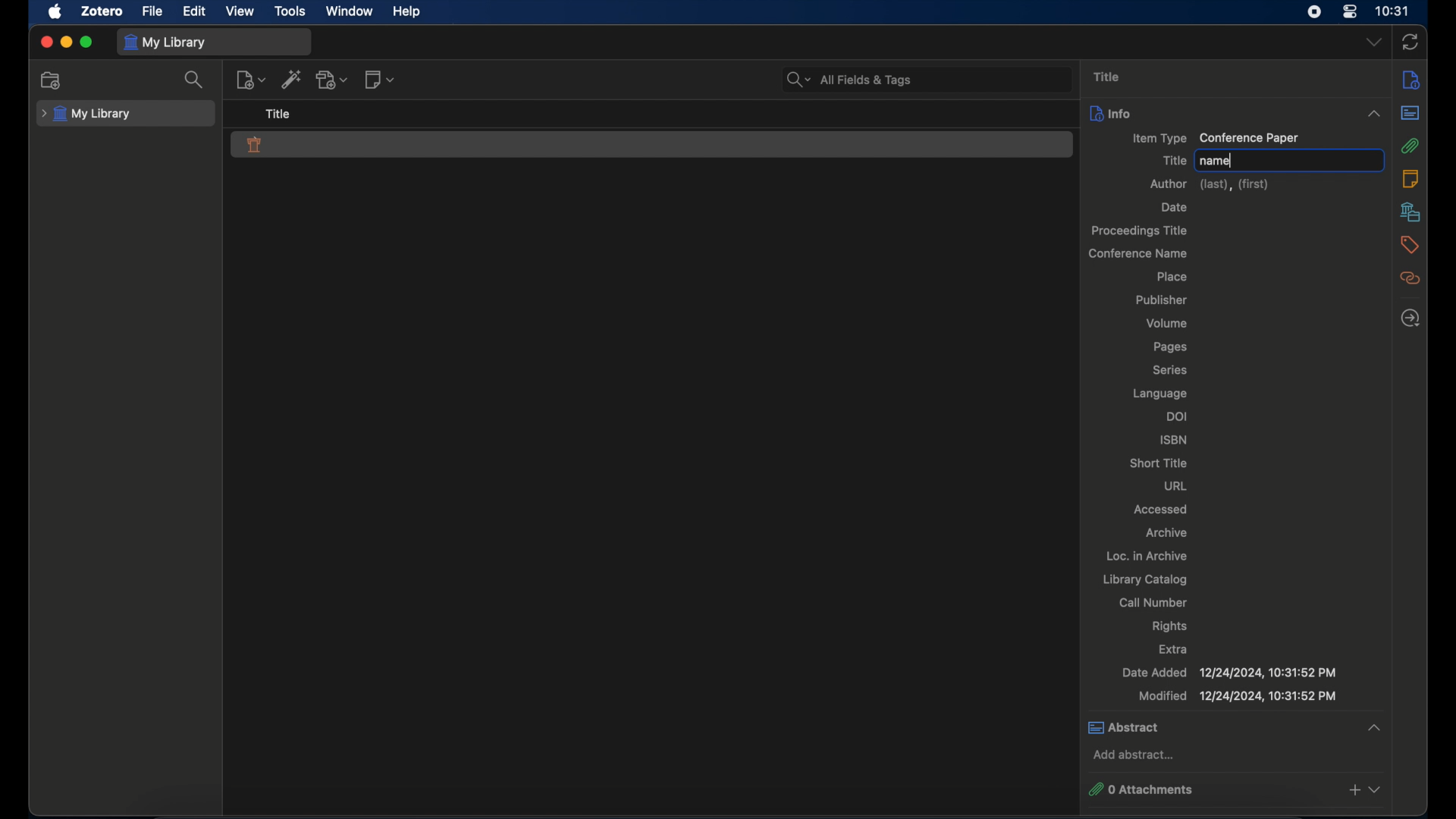 This screenshot has height=819, width=1456. What do you see at coordinates (167, 43) in the screenshot?
I see `my library` at bounding box center [167, 43].